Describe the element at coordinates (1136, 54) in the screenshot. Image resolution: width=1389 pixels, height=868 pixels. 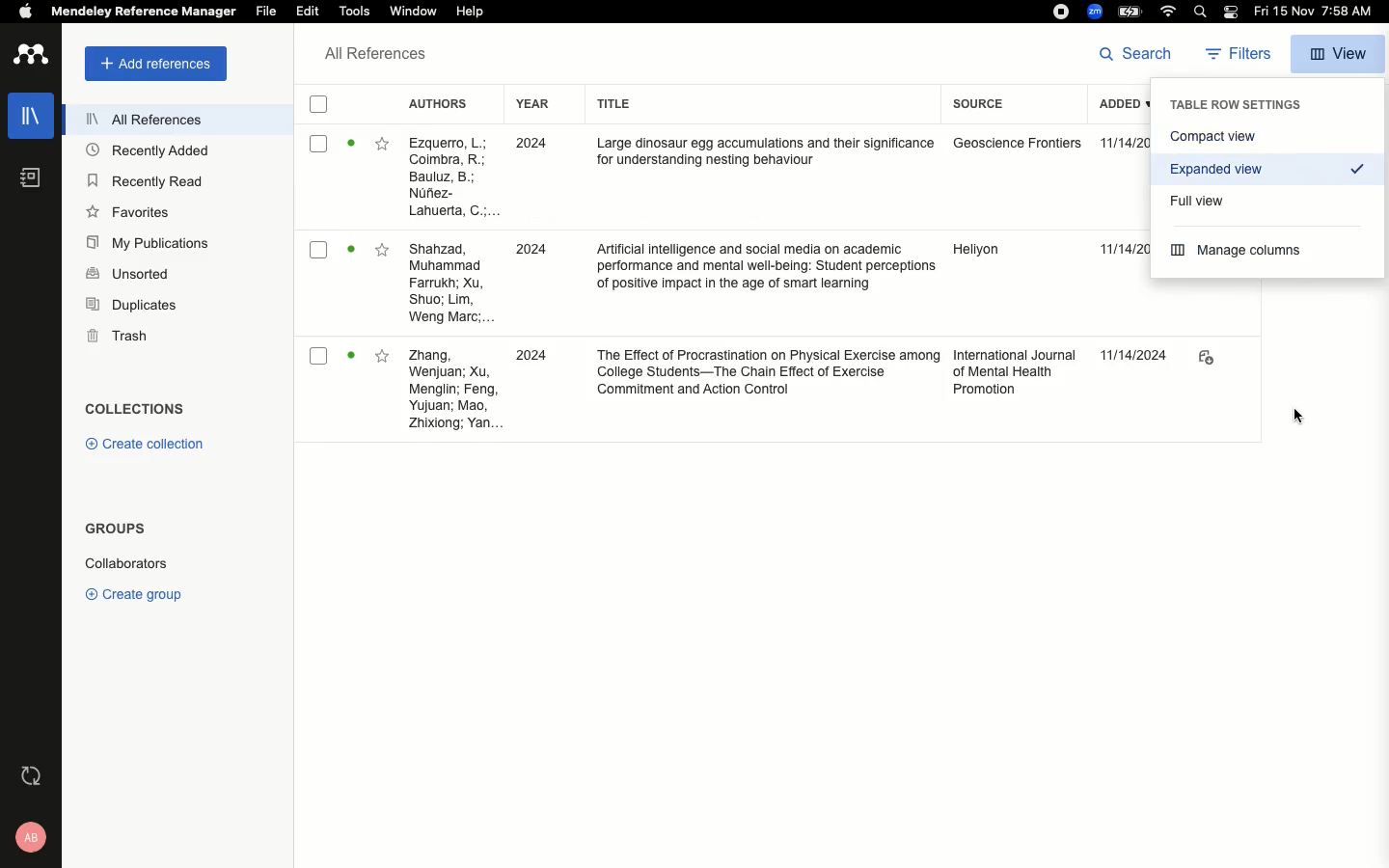
I see `Search` at that location.